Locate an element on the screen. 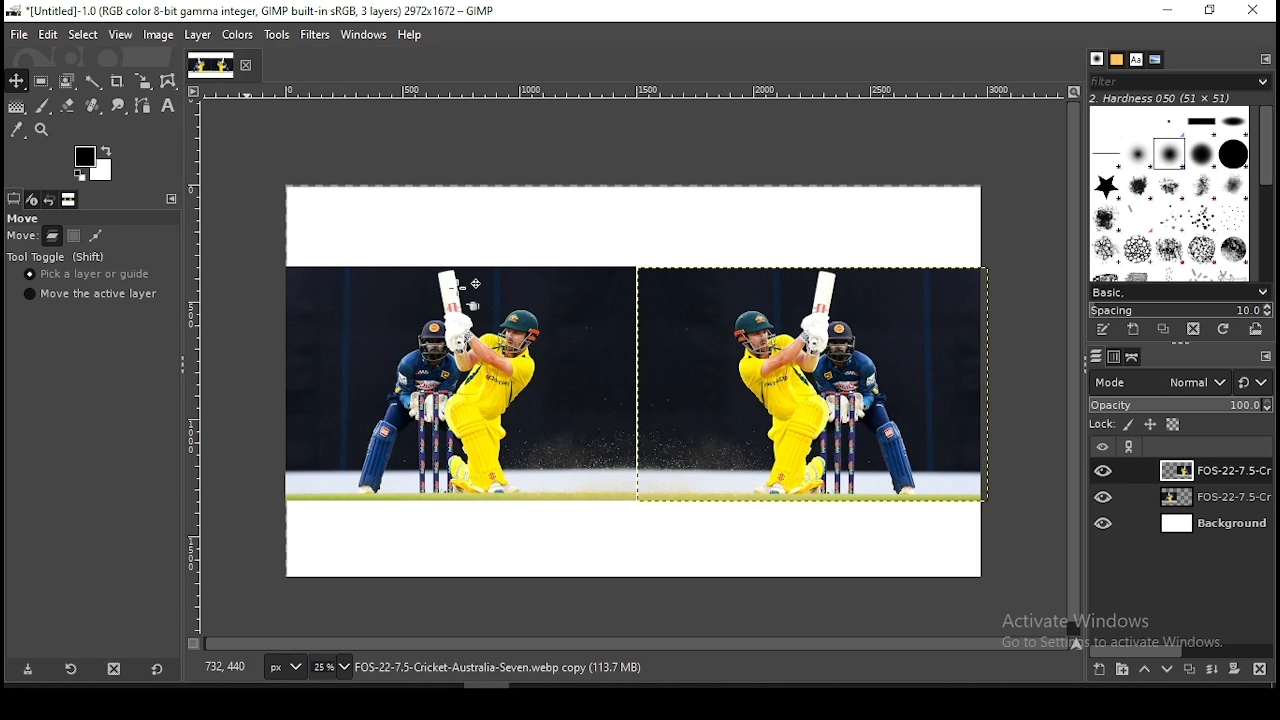 The width and height of the screenshot is (1280, 720). units is located at coordinates (285, 668).